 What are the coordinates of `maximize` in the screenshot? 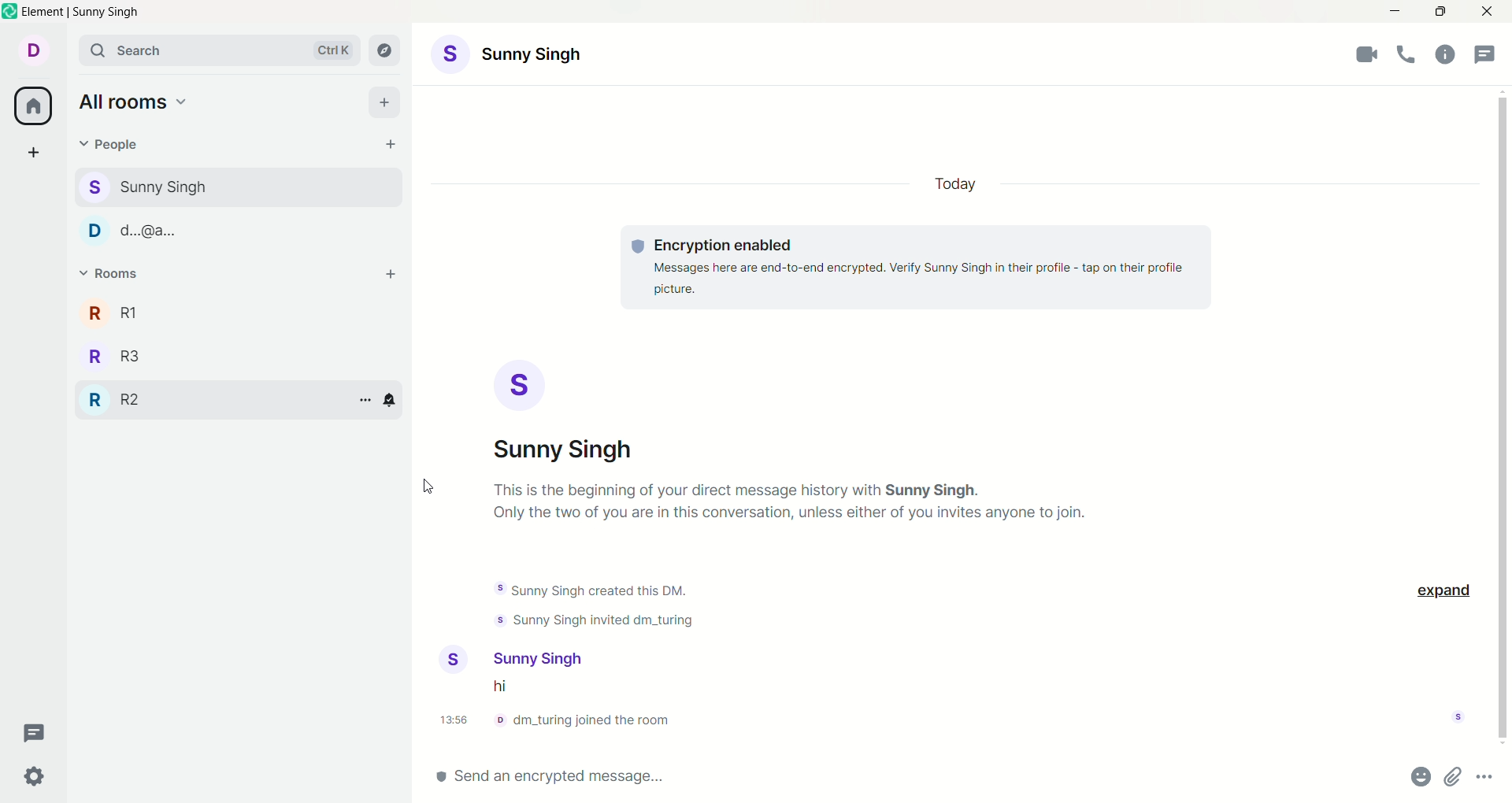 It's located at (1442, 12).